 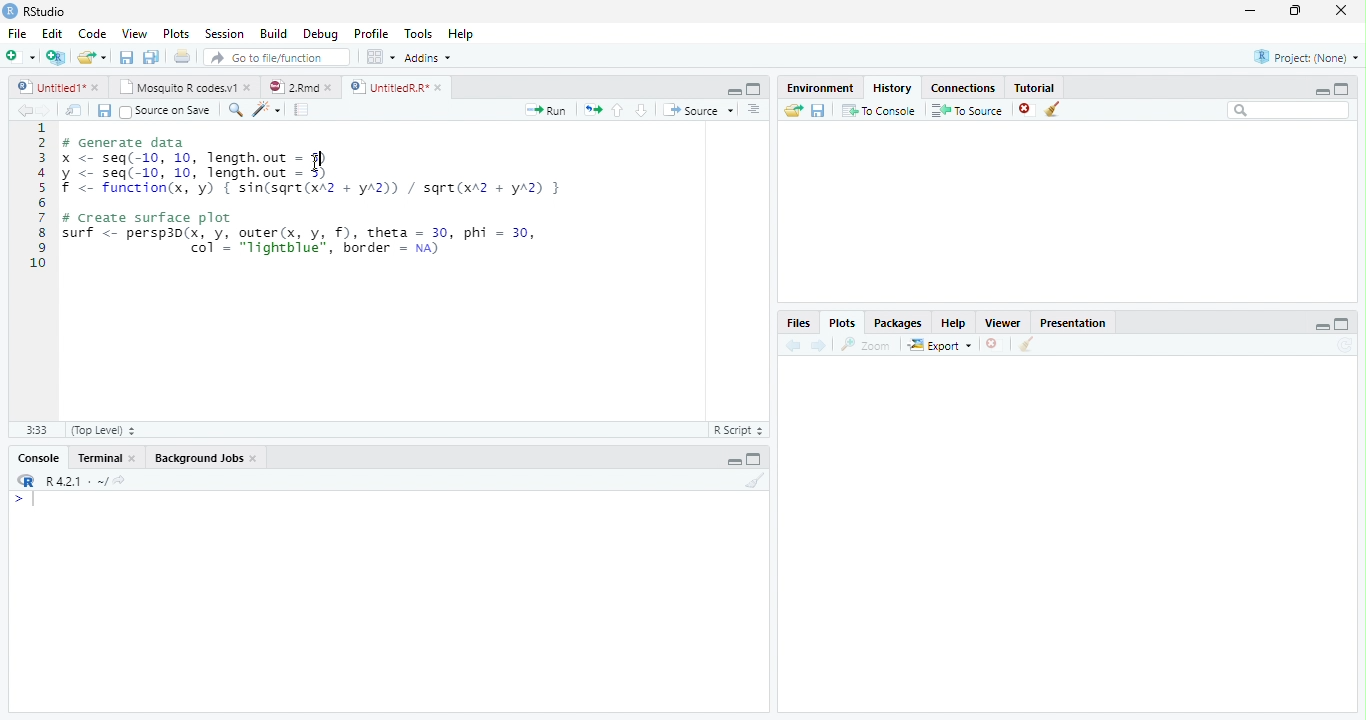 What do you see at coordinates (45, 111) in the screenshot?
I see `Go forward to next source location` at bounding box center [45, 111].